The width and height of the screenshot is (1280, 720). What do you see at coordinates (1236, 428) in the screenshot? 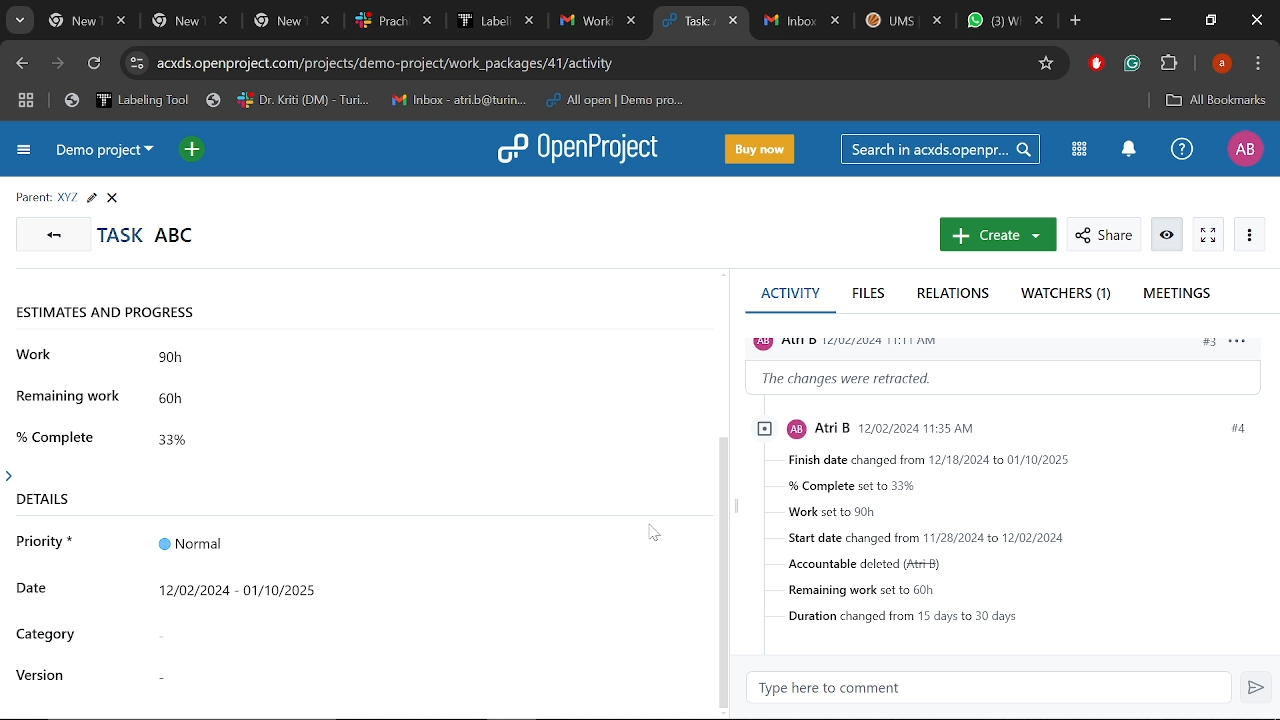
I see `#4` at bounding box center [1236, 428].